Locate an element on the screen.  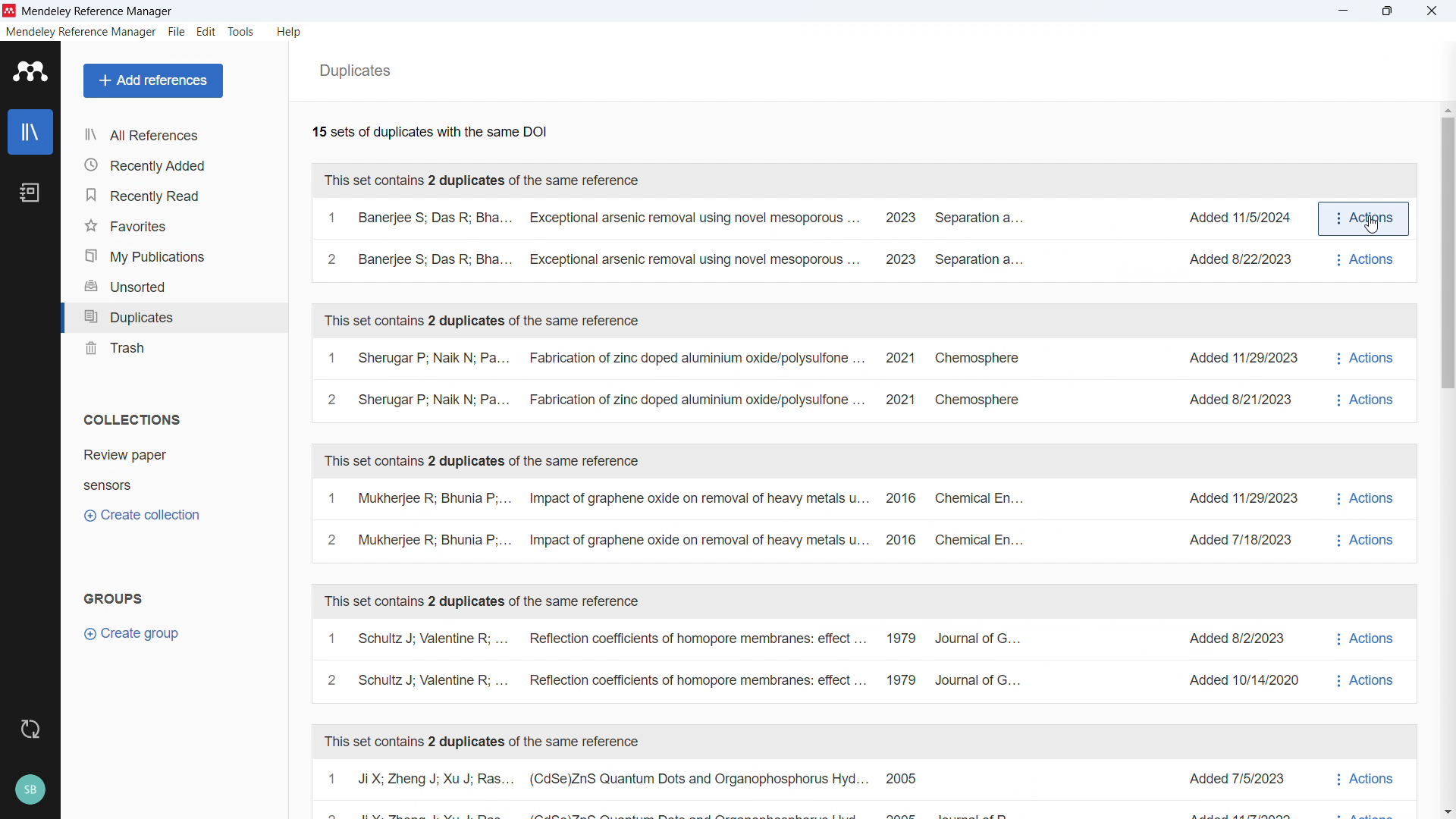
Collection 2  is located at coordinates (168, 485).